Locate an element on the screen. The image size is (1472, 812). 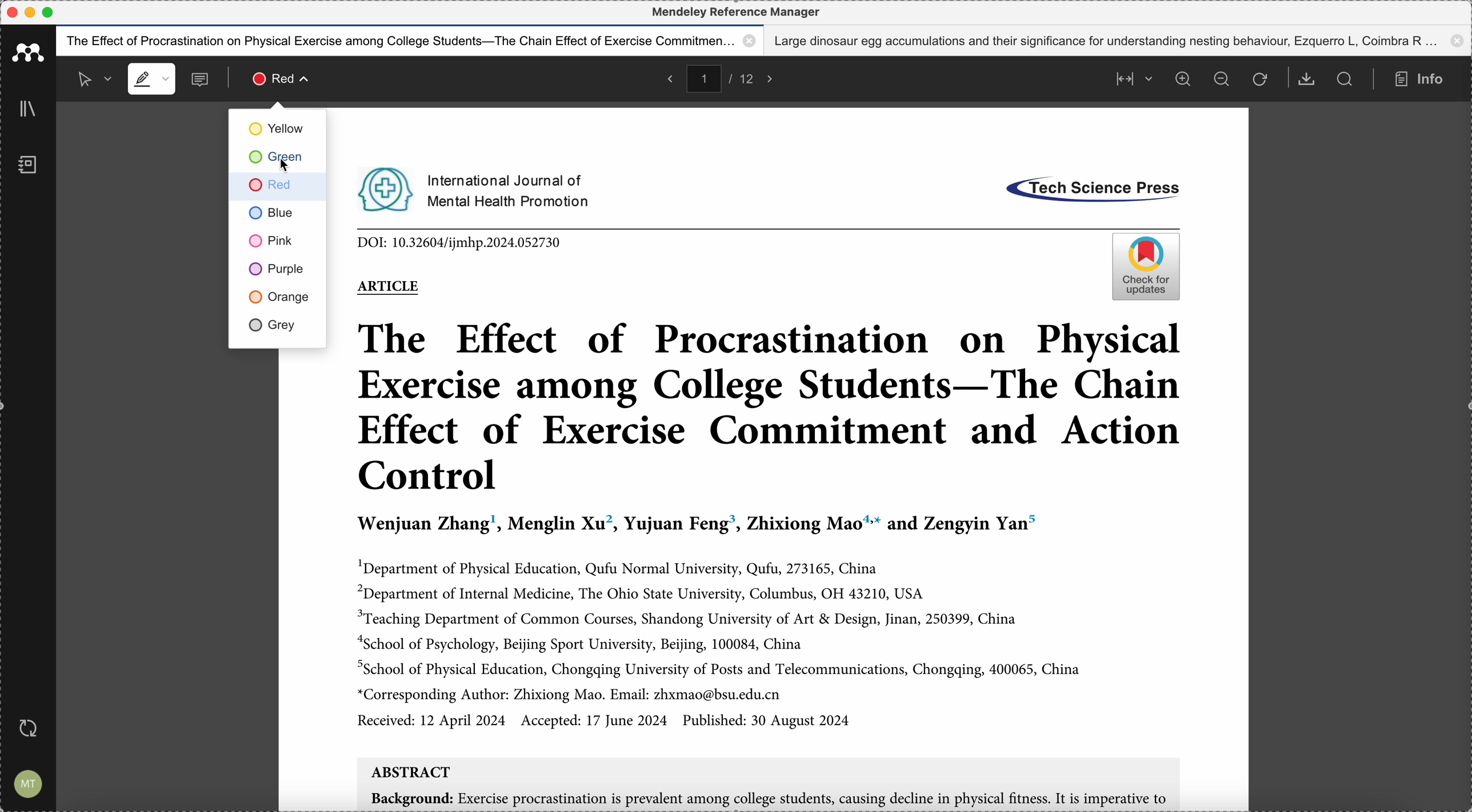
Mendeley is located at coordinates (736, 12).